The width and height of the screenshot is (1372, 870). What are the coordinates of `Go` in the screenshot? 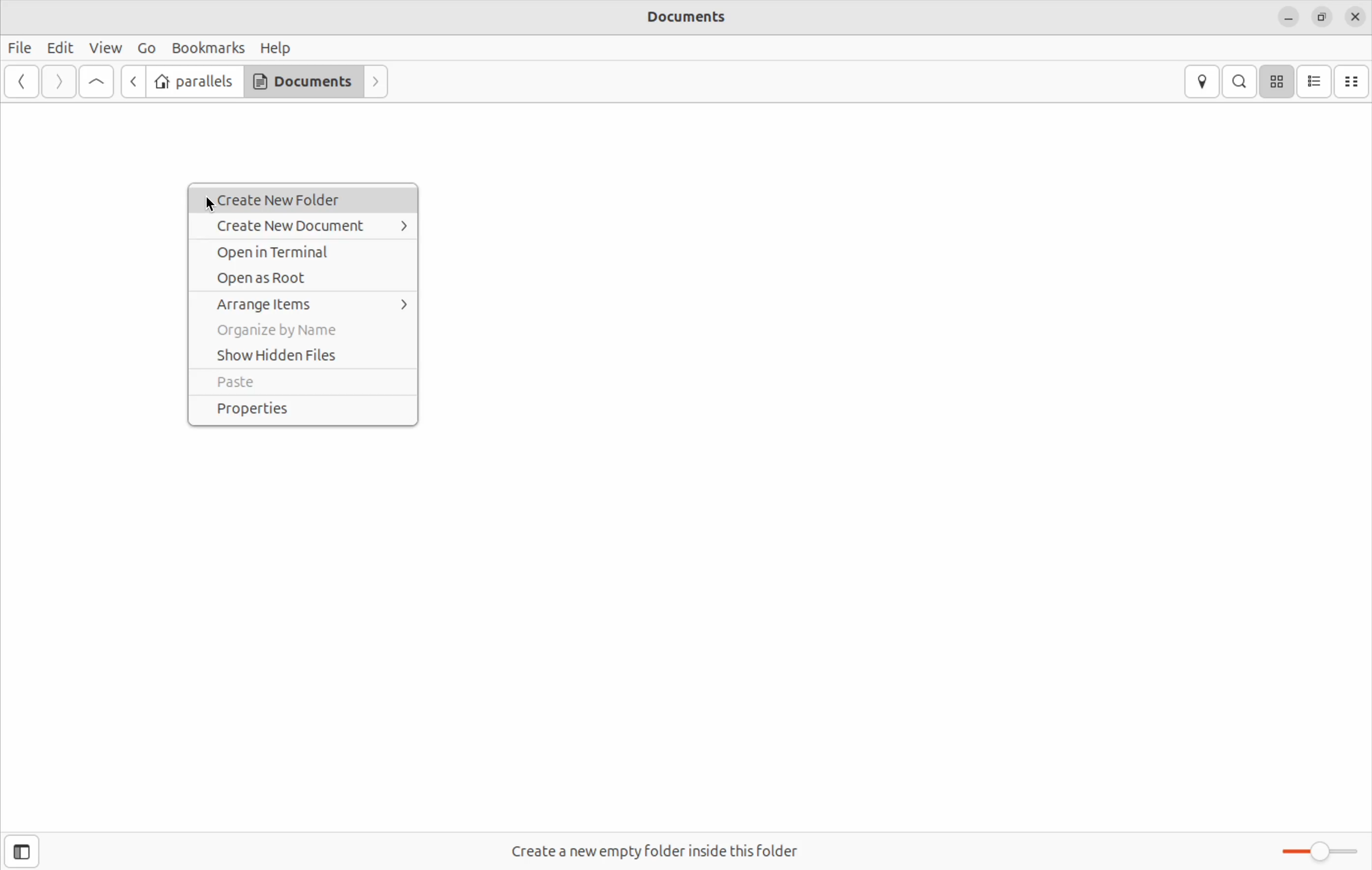 It's located at (147, 49).